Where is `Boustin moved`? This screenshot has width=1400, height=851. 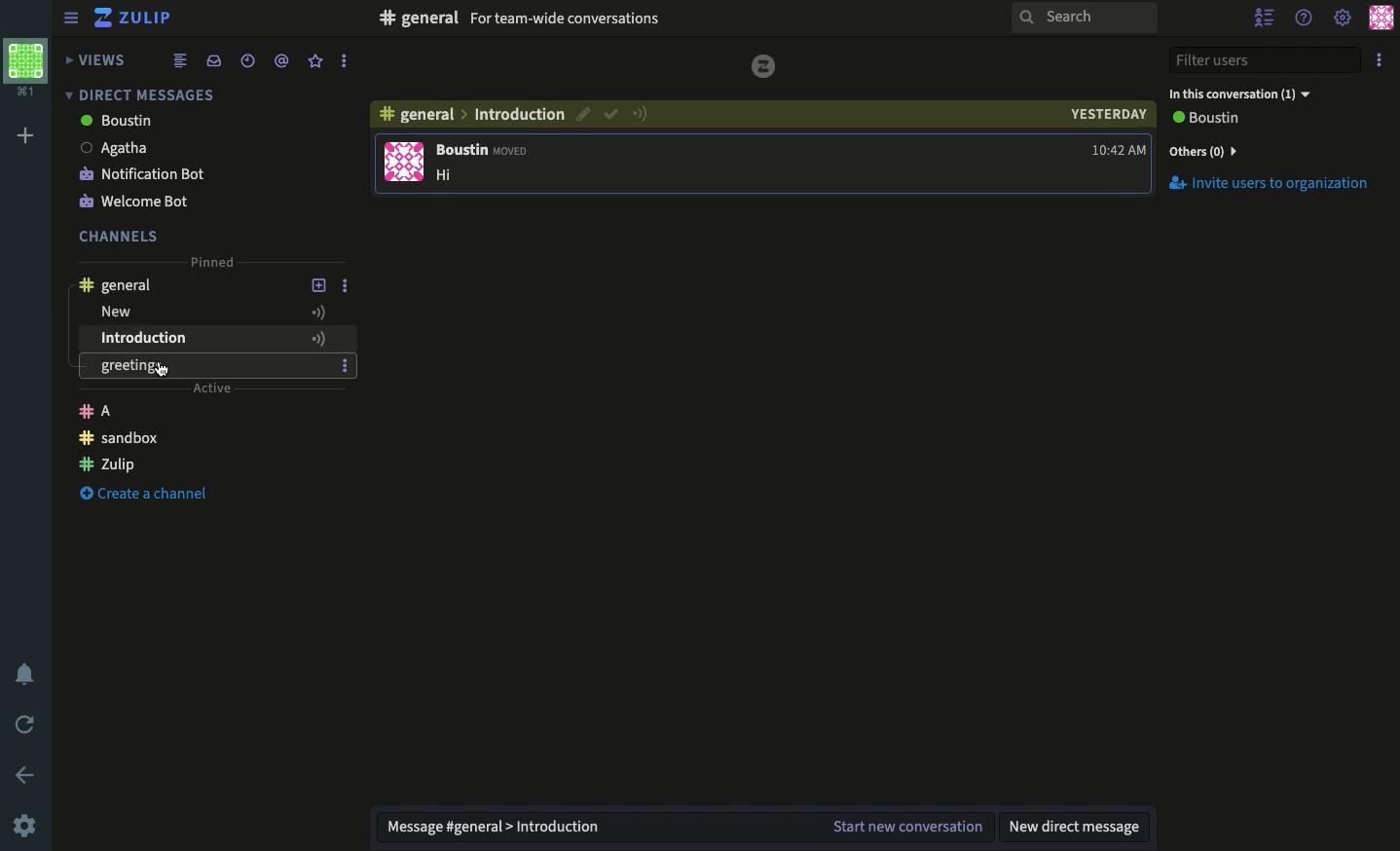 Boustin moved is located at coordinates (482, 150).